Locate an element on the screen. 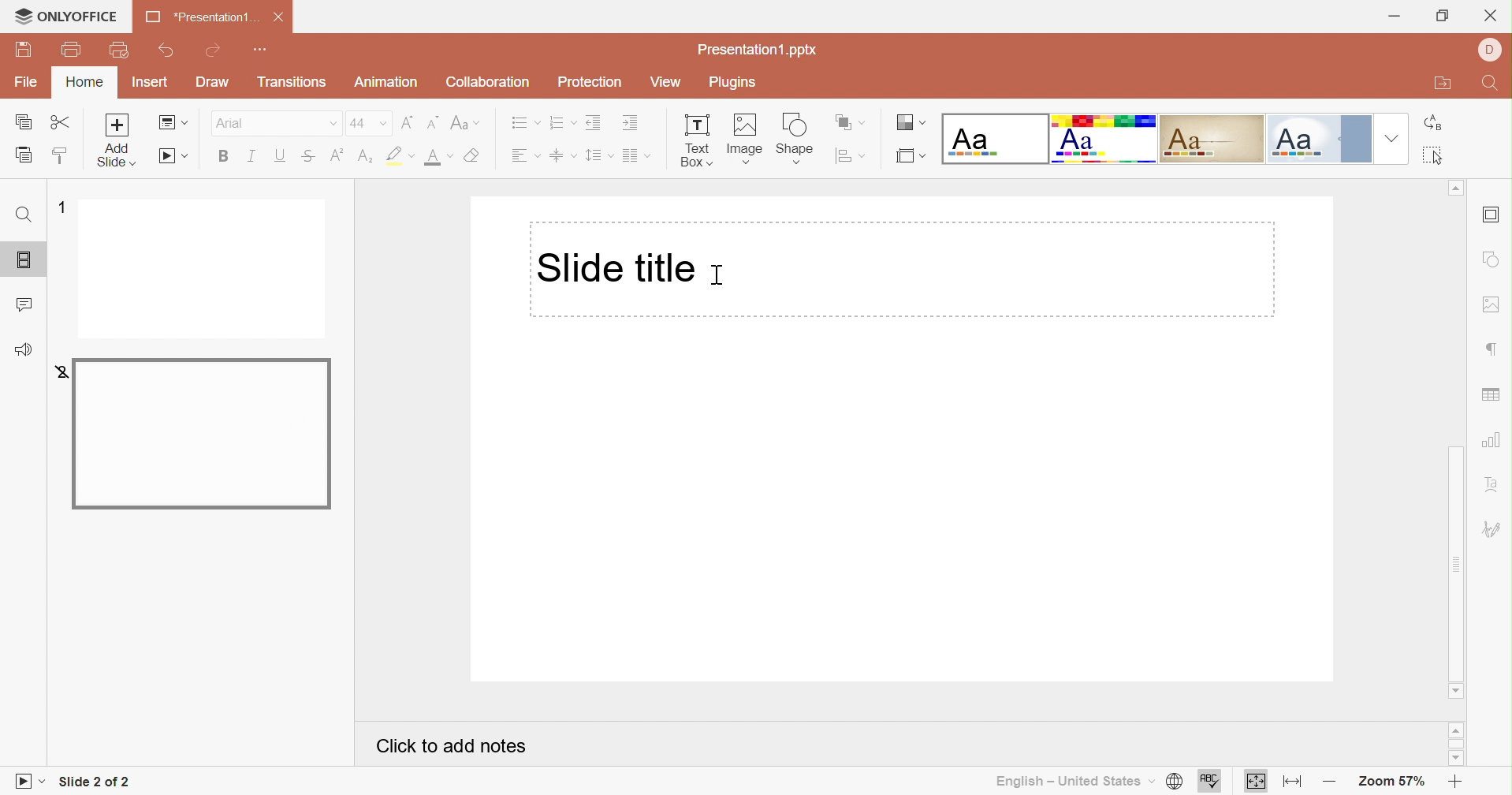 Image resolution: width=1512 pixels, height=795 pixels. Presentation1.pptx is located at coordinates (755, 49).